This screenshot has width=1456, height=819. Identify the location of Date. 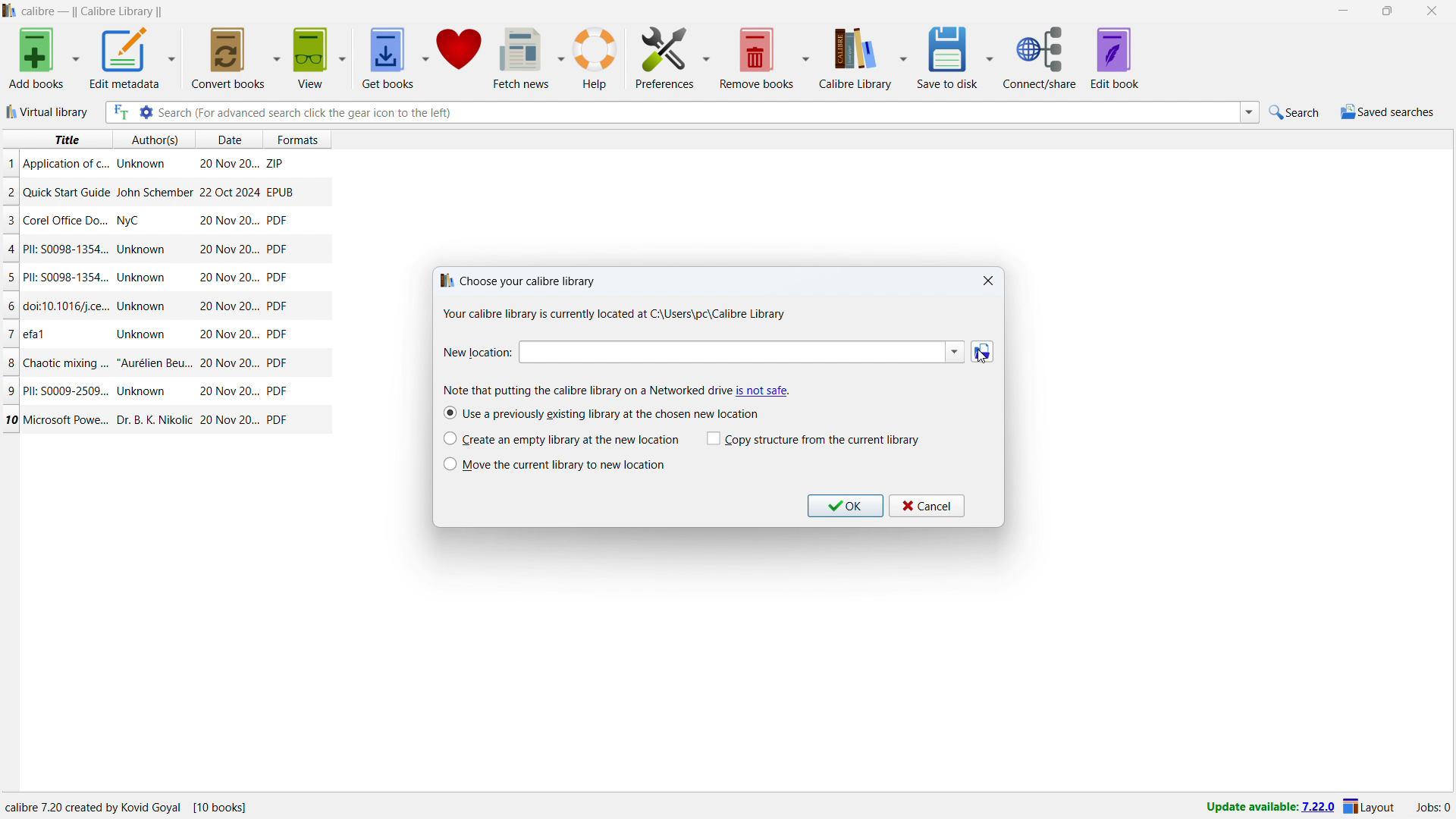
(227, 335).